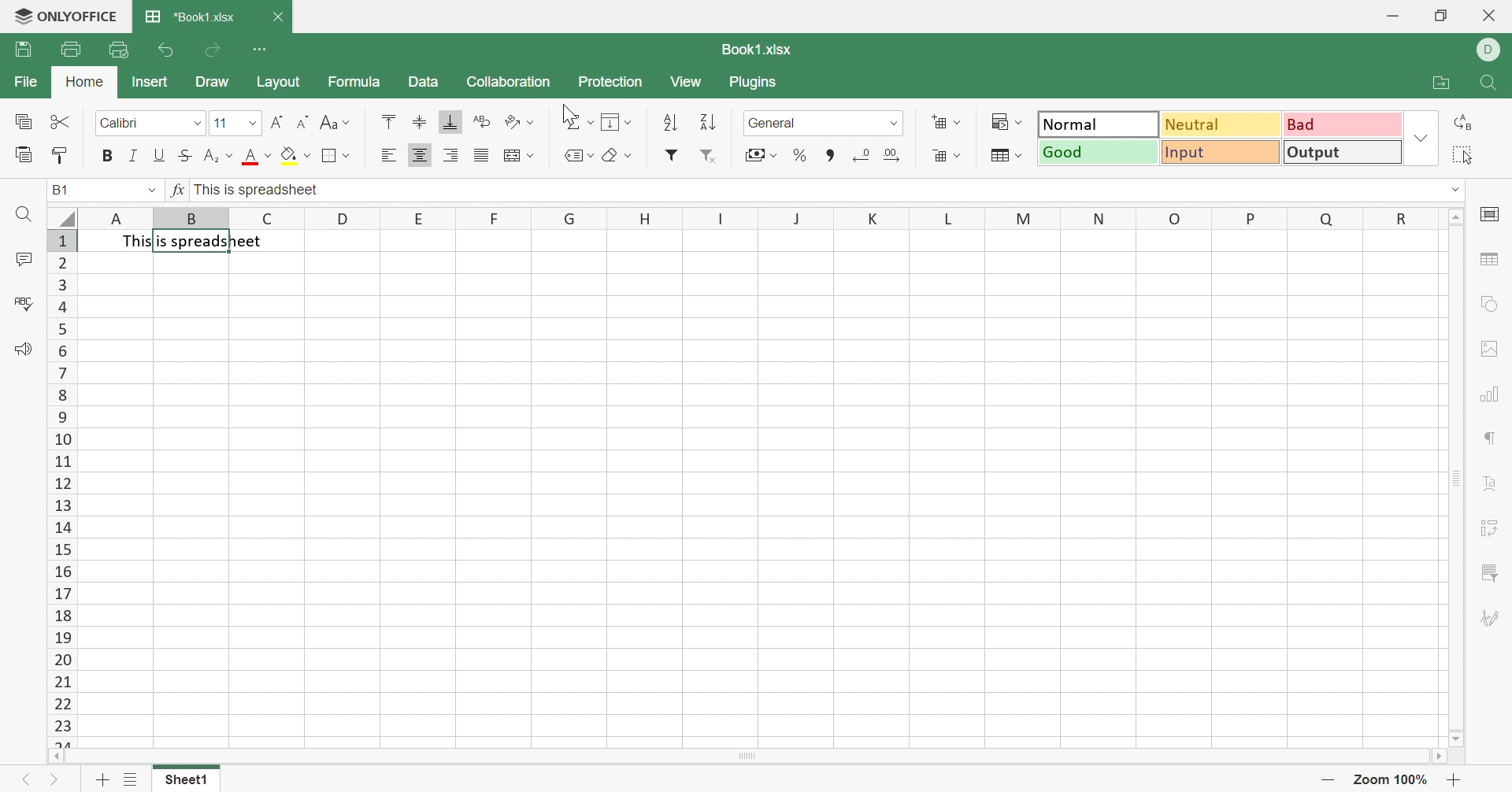 This screenshot has width=1512, height=792. Describe the element at coordinates (629, 122) in the screenshot. I see `Drop Down` at that location.